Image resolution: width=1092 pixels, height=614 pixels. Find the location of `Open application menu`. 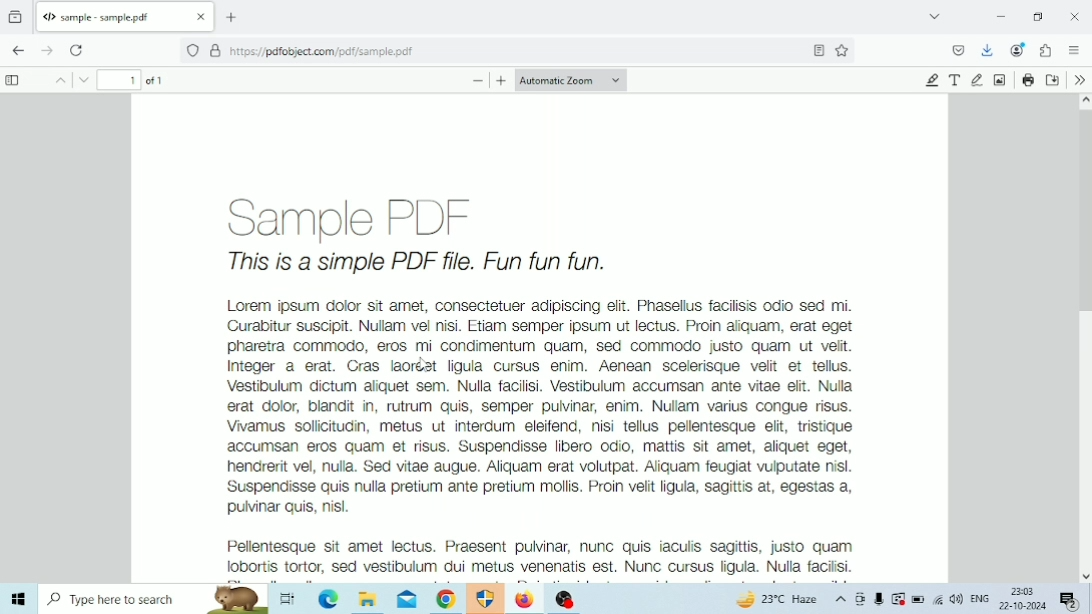

Open application menu is located at coordinates (1074, 50).